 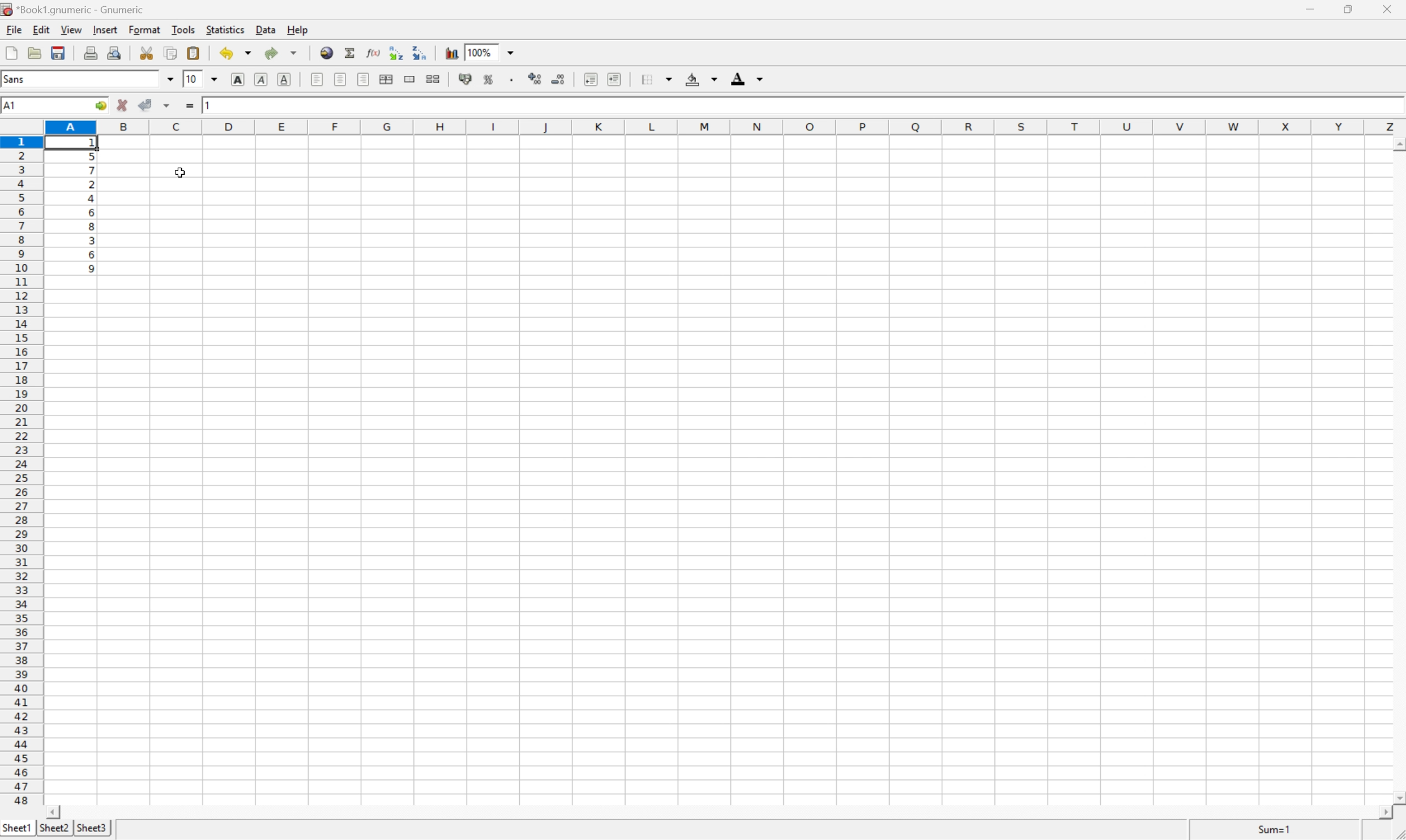 What do you see at coordinates (101, 105) in the screenshot?
I see `go to` at bounding box center [101, 105].